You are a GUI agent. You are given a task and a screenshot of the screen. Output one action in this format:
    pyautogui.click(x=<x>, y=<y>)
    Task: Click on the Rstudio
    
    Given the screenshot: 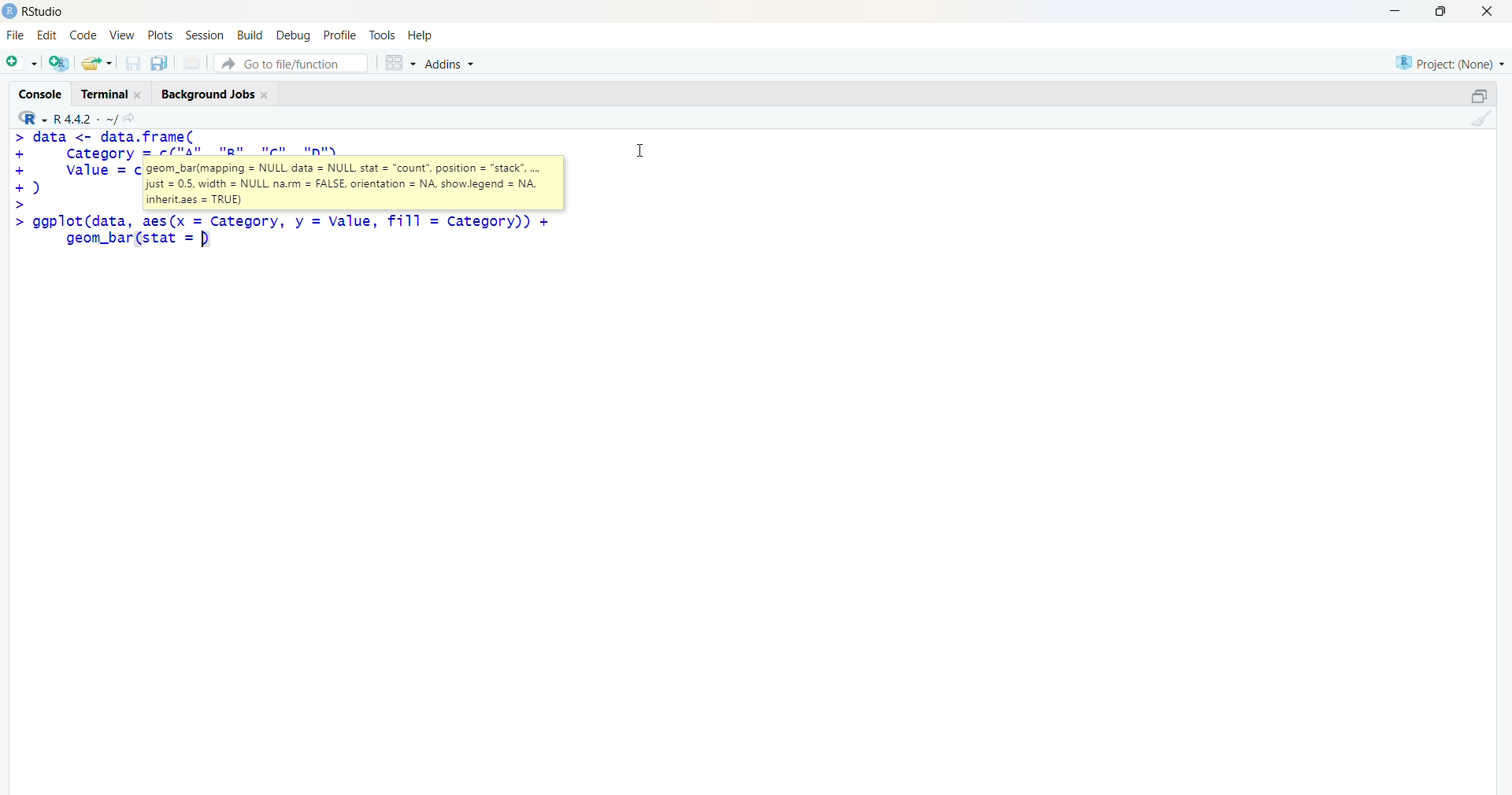 What is the action you would take?
    pyautogui.click(x=48, y=12)
    